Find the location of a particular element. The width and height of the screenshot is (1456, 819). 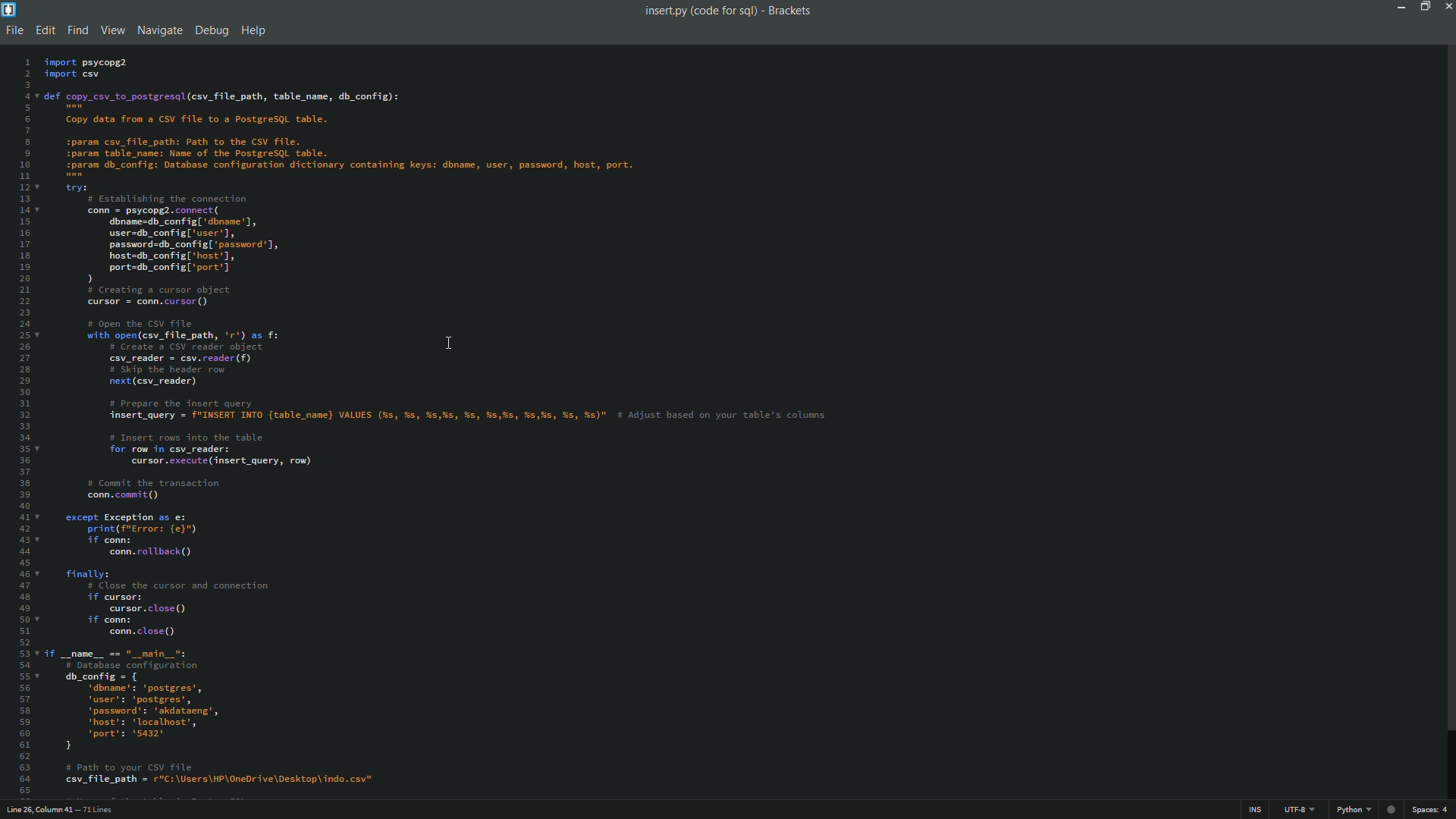

line numbers is located at coordinates (20, 425).